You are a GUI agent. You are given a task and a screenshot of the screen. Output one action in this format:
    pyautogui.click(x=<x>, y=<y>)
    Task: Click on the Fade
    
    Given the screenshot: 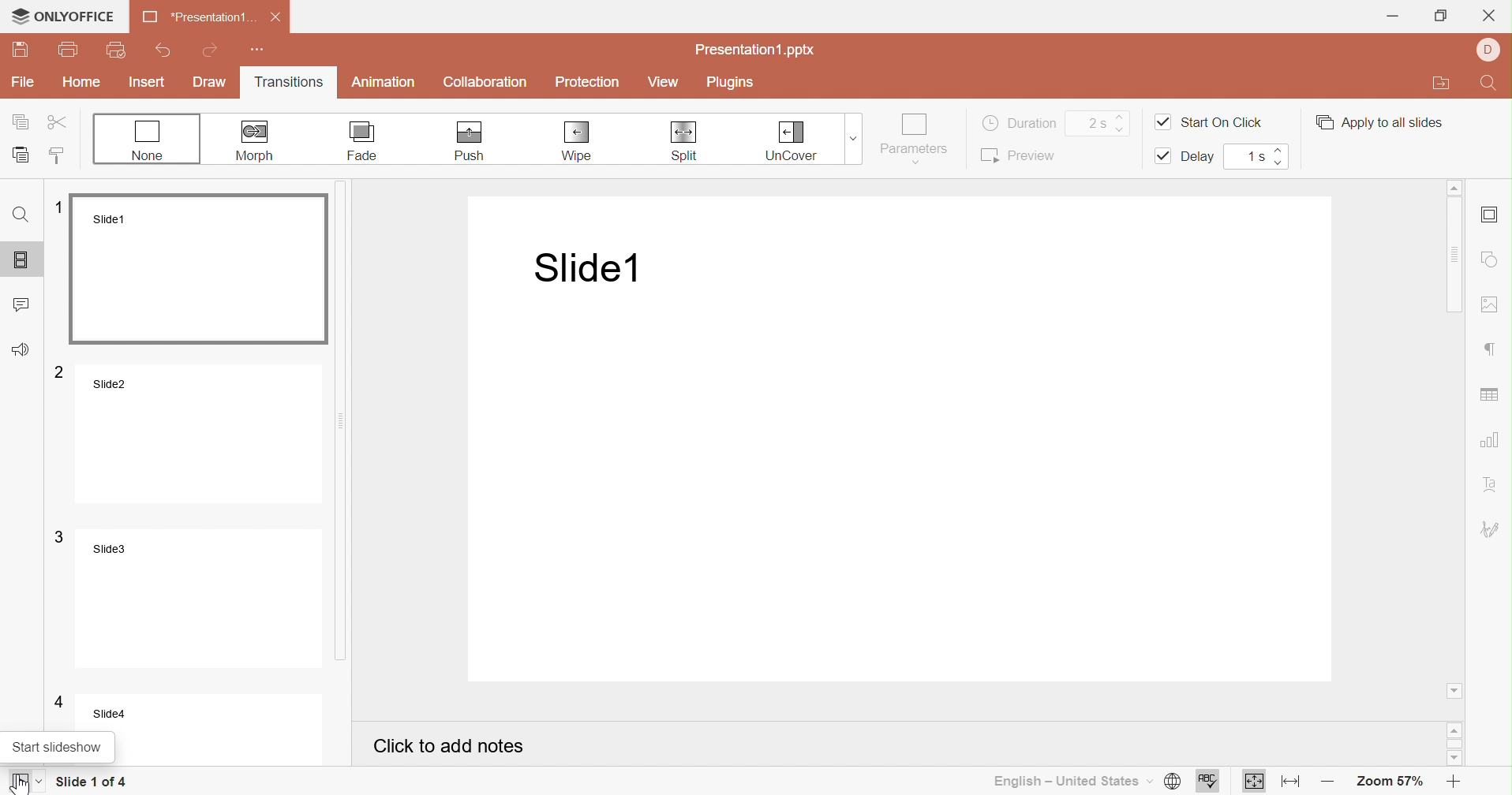 What is the action you would take?
    pyautogui.click(x=363, y=141)
    